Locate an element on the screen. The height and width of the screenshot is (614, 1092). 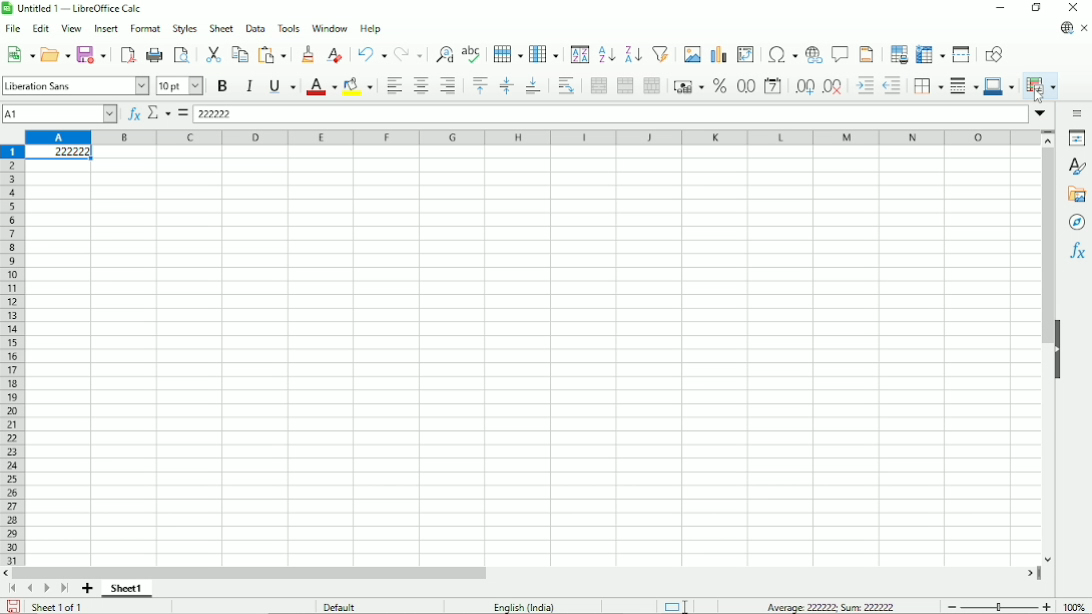
Conditional is located at coordinates (1040, 85).